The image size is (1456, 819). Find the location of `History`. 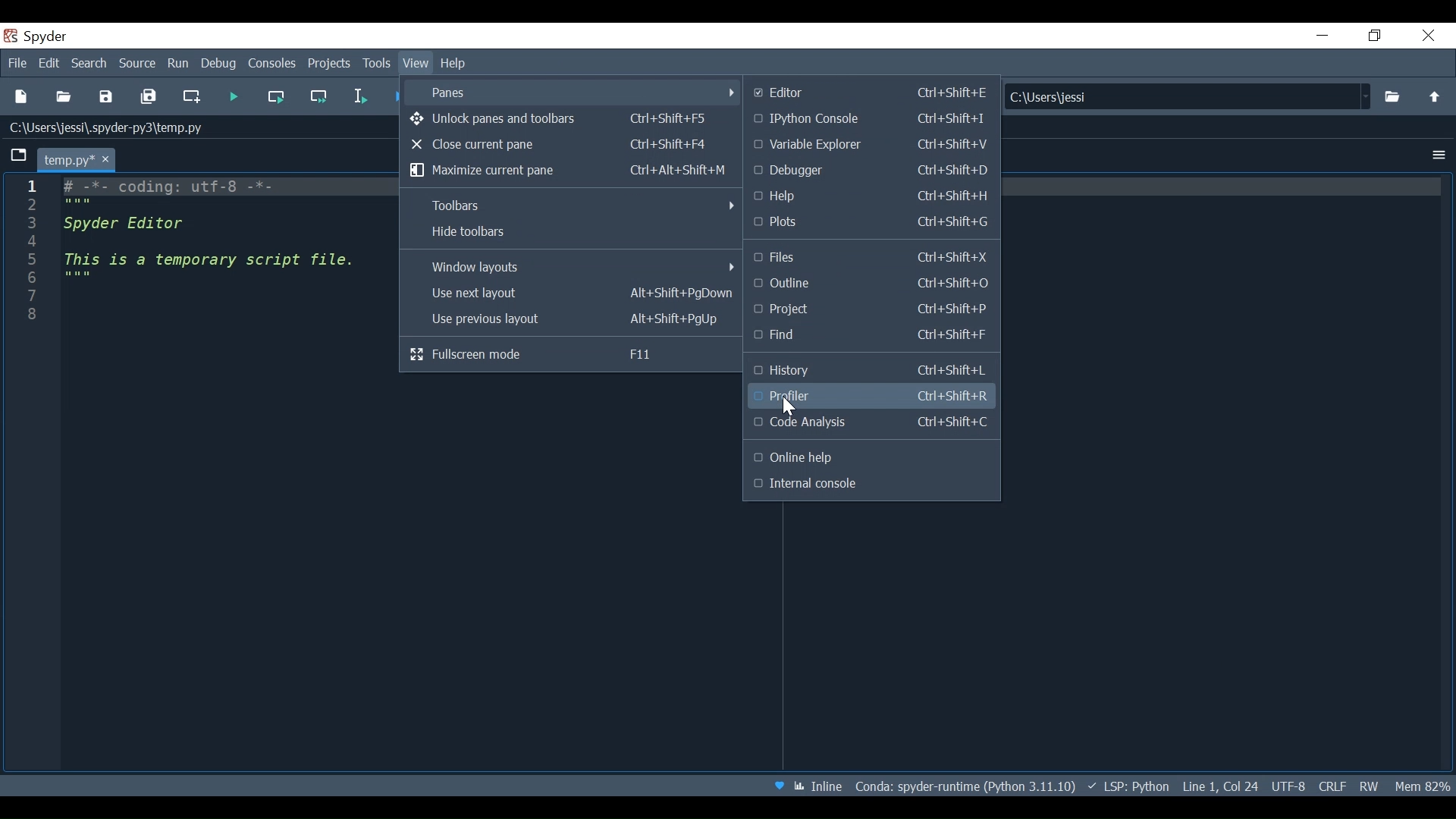

History is located at coordinates (872, 370).